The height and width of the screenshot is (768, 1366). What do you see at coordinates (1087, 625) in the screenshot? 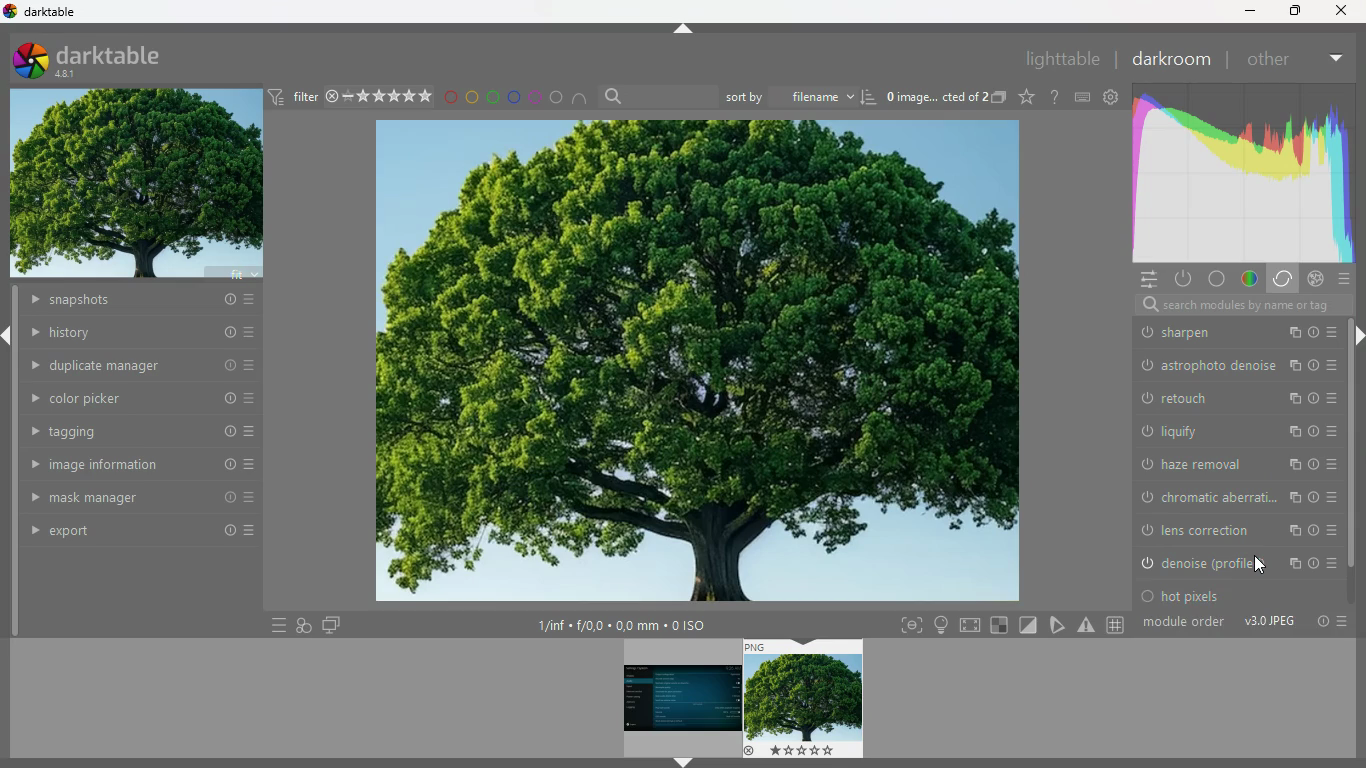
I see `warning` at bounding box center [1087, 625].